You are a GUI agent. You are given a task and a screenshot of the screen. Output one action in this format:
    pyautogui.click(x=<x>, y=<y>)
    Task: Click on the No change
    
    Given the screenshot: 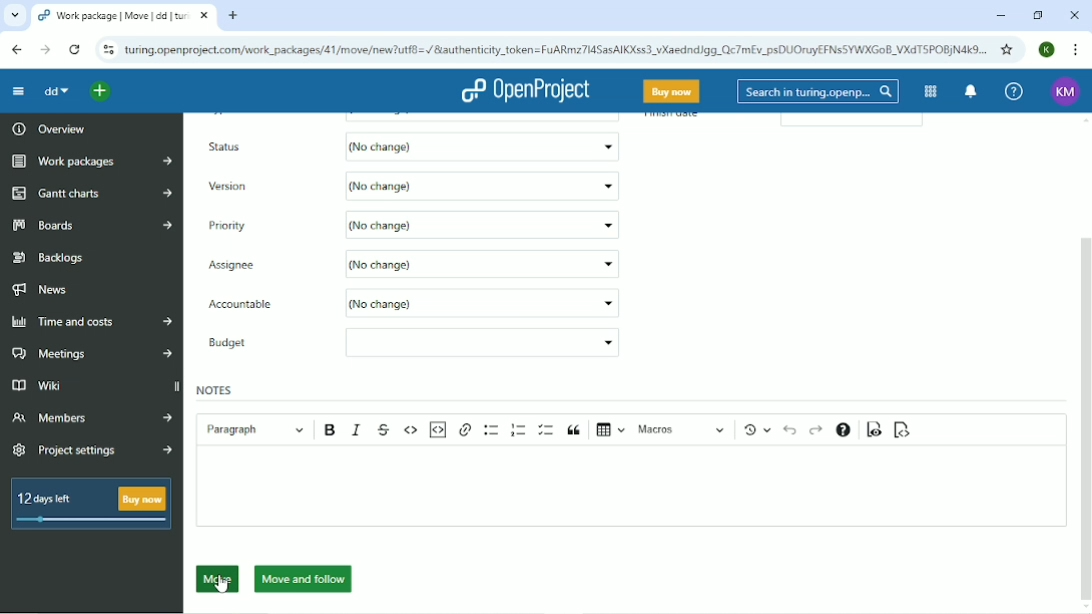 What is the action you would take?
    pyautogui.click(x=479, y=263)
    